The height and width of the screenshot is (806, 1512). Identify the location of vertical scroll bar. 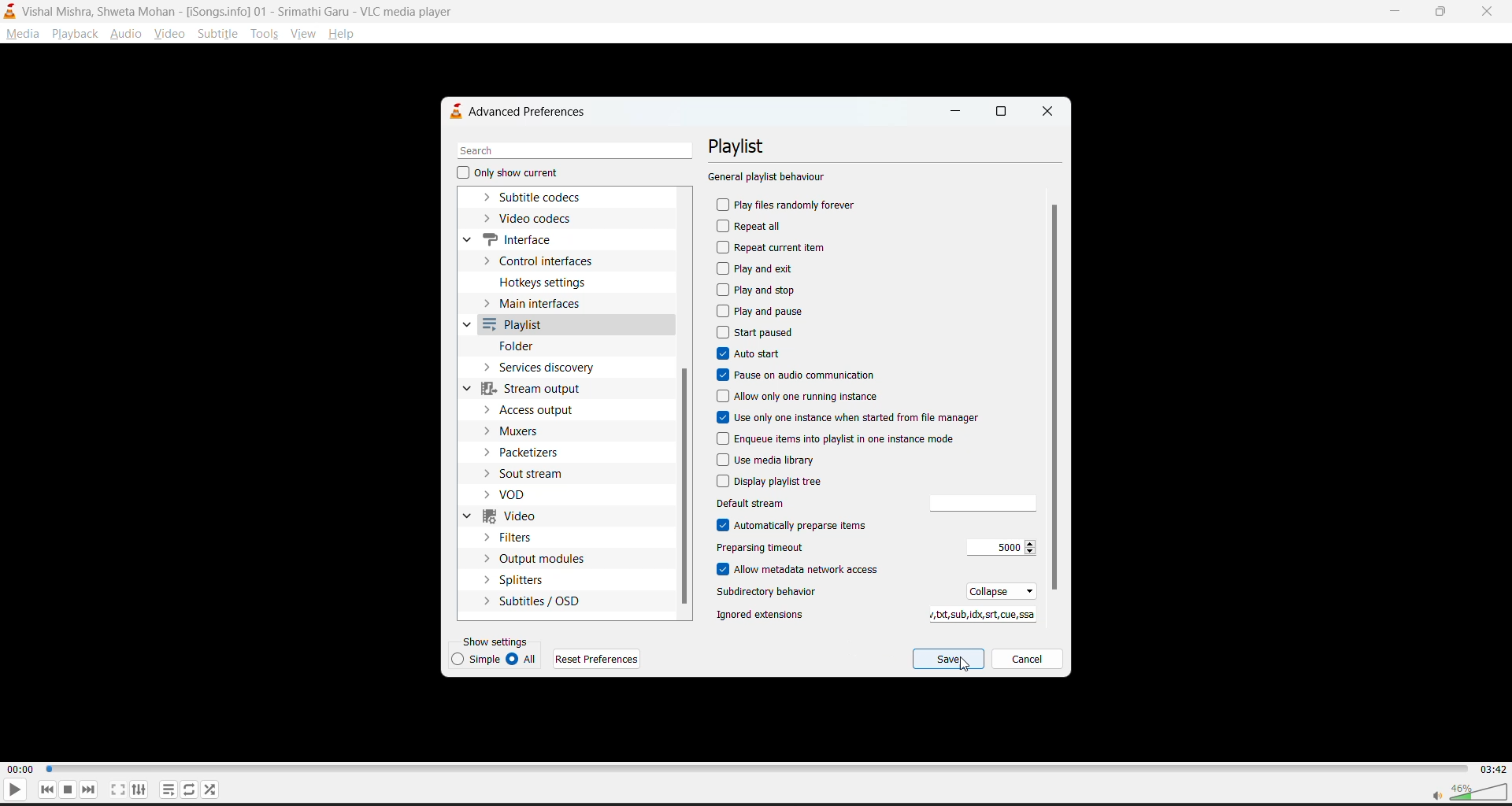
(1057, 399).